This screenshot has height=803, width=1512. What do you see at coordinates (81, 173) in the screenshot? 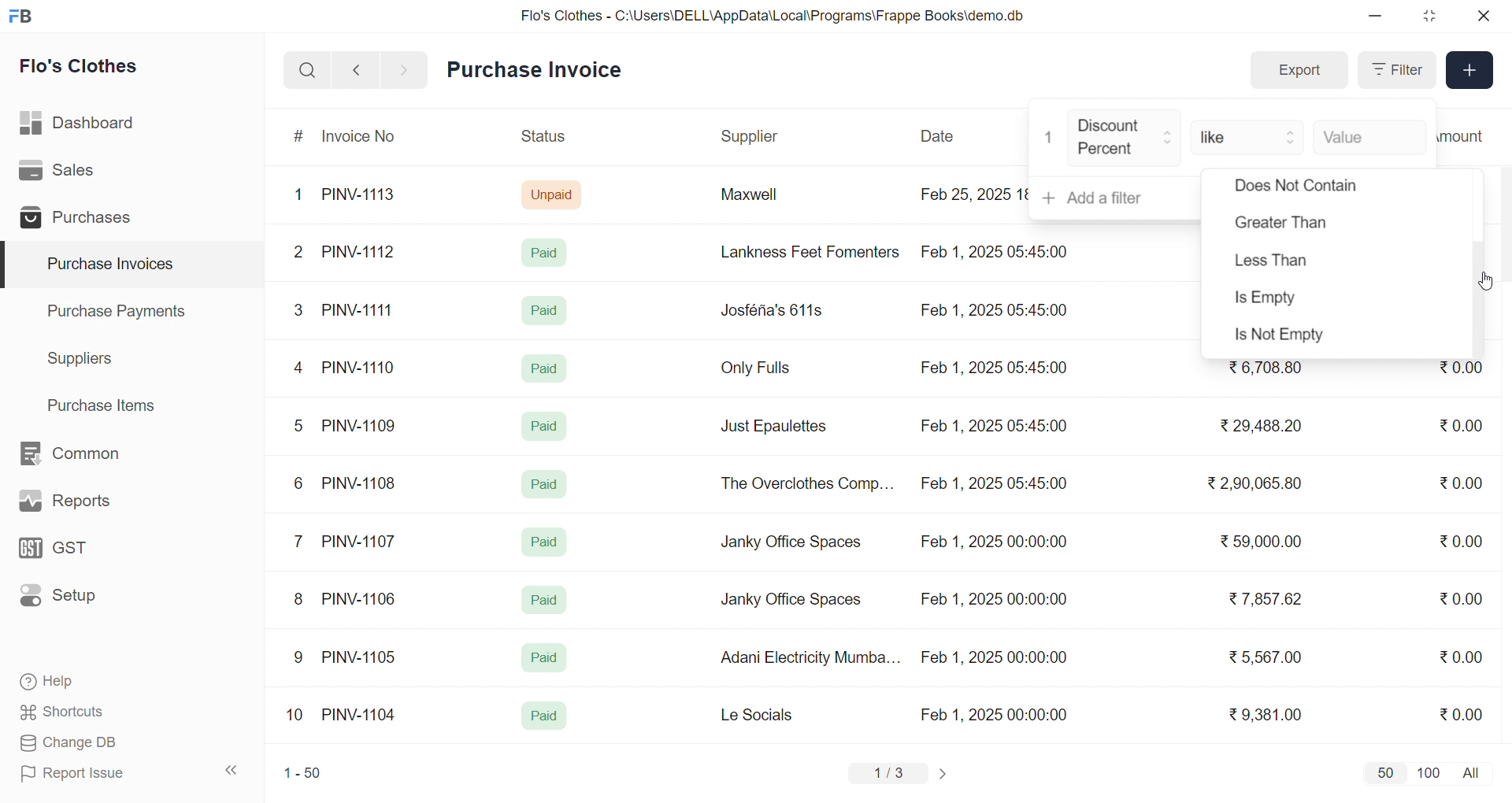
I see `Sales` at bounding box center [81, 173].